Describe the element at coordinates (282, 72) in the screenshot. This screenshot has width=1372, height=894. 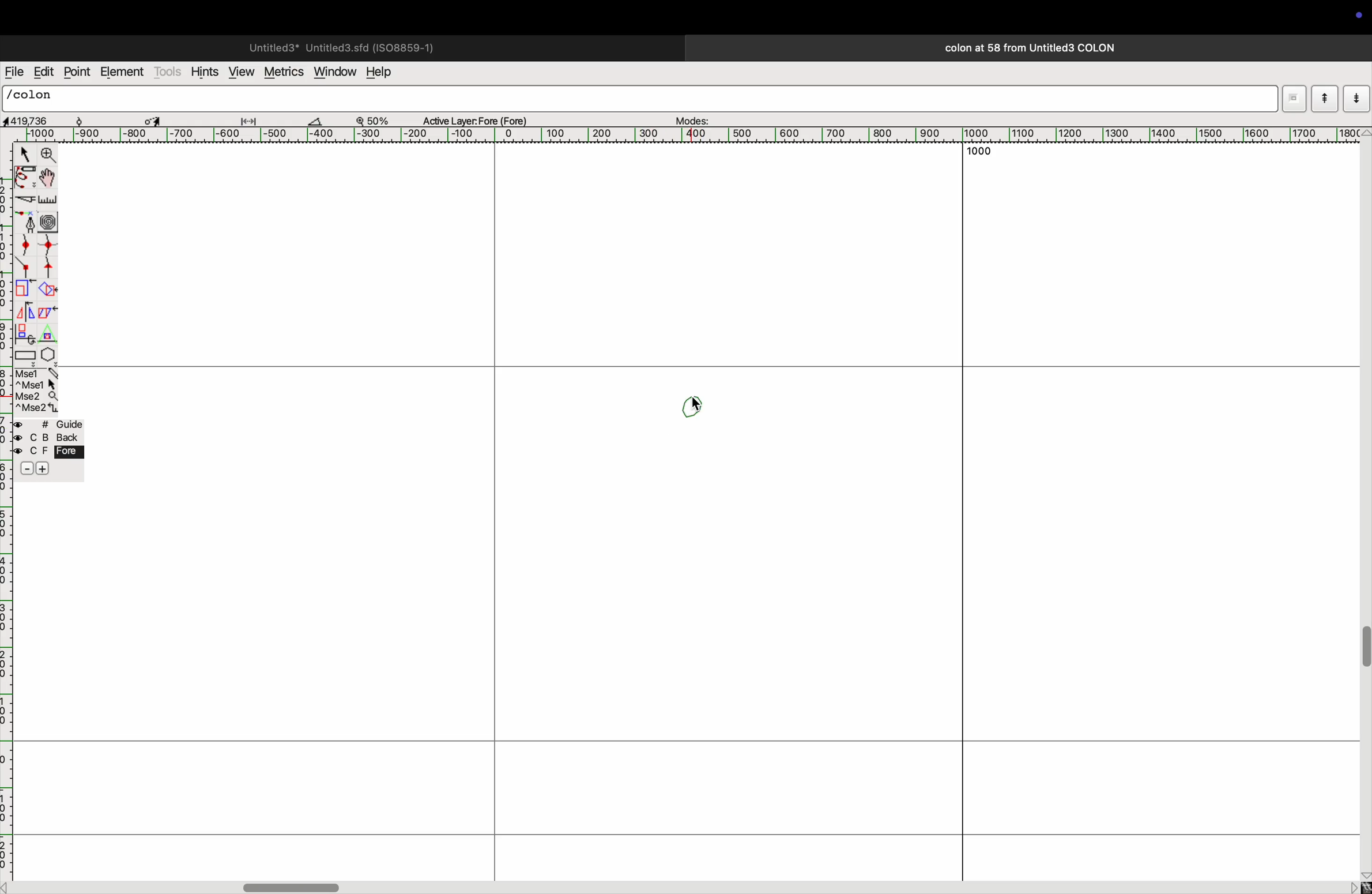
I see `metrics` at that location.